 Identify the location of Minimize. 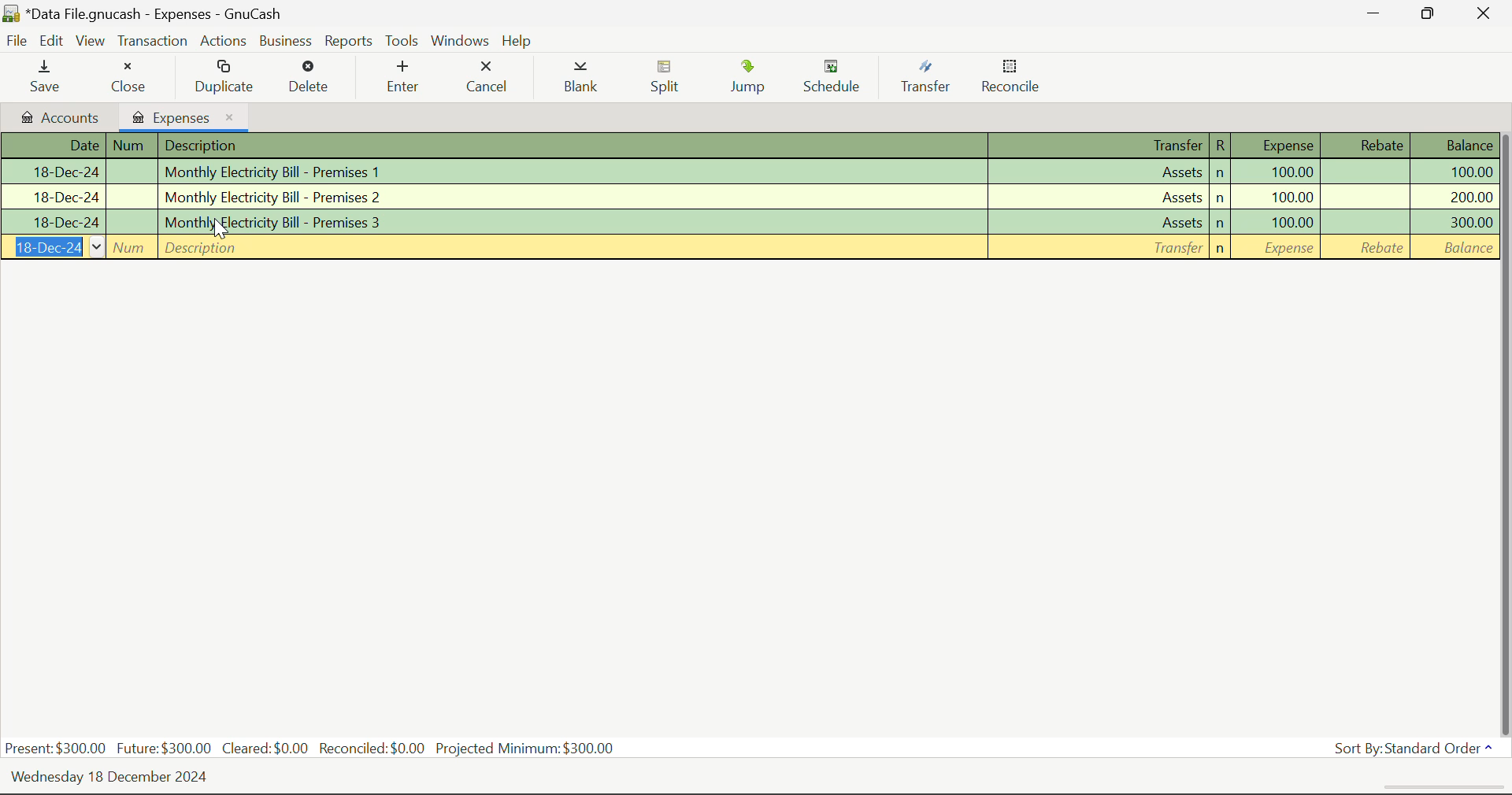
(1430, 16).